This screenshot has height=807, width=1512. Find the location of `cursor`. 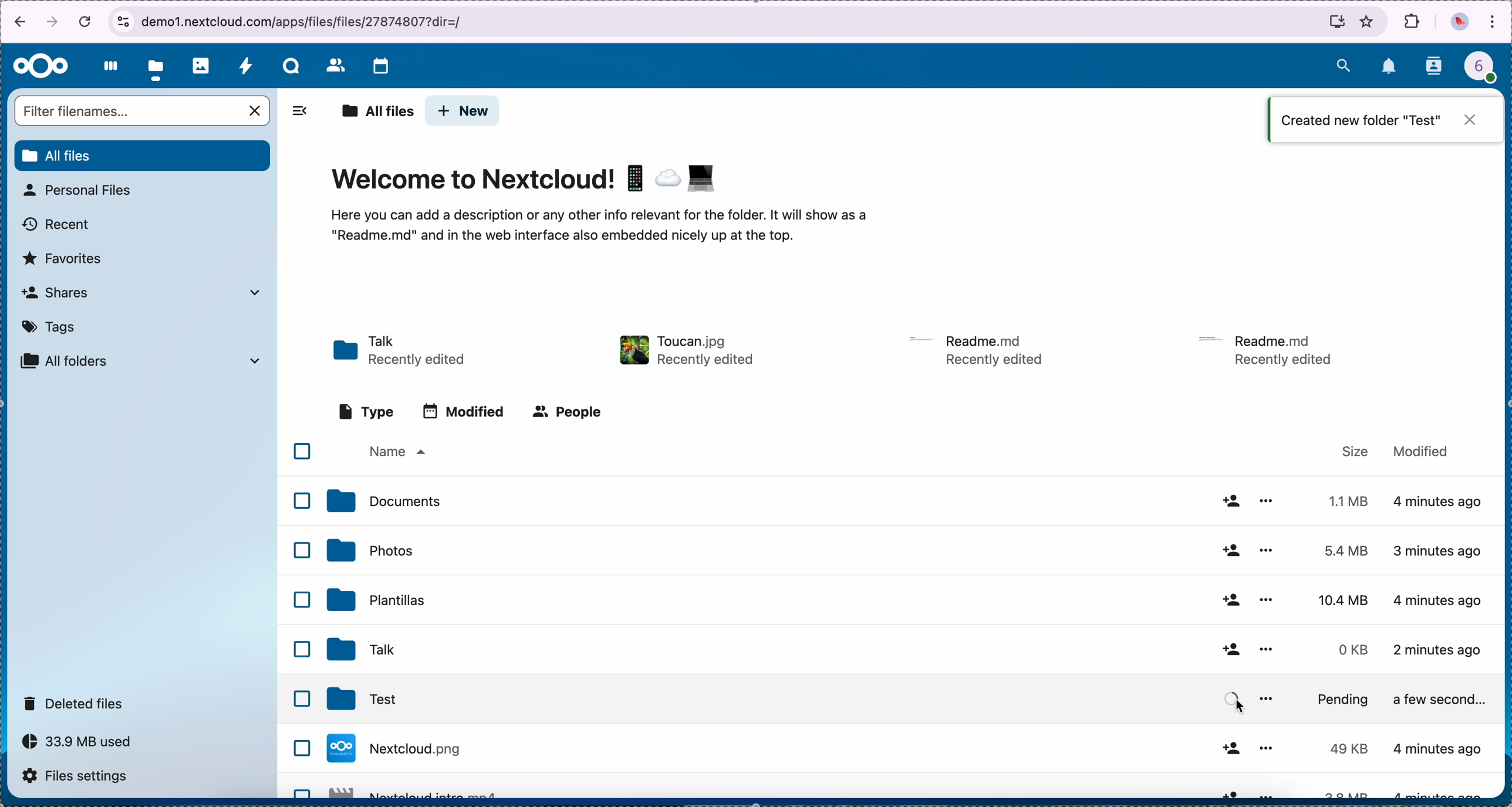

cursor is located at coordinates (1241, 707).